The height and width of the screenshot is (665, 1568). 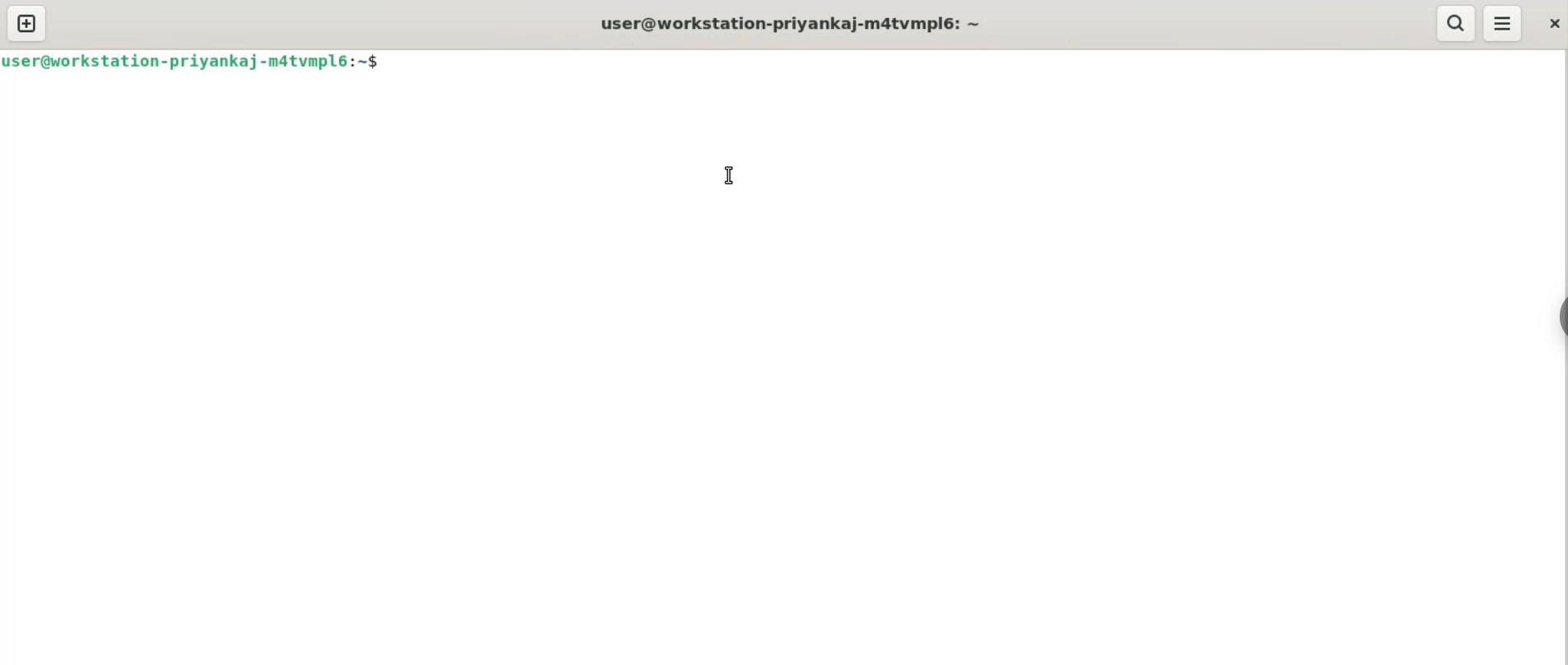 I want to click on cursor, so click(x=729, y=176).